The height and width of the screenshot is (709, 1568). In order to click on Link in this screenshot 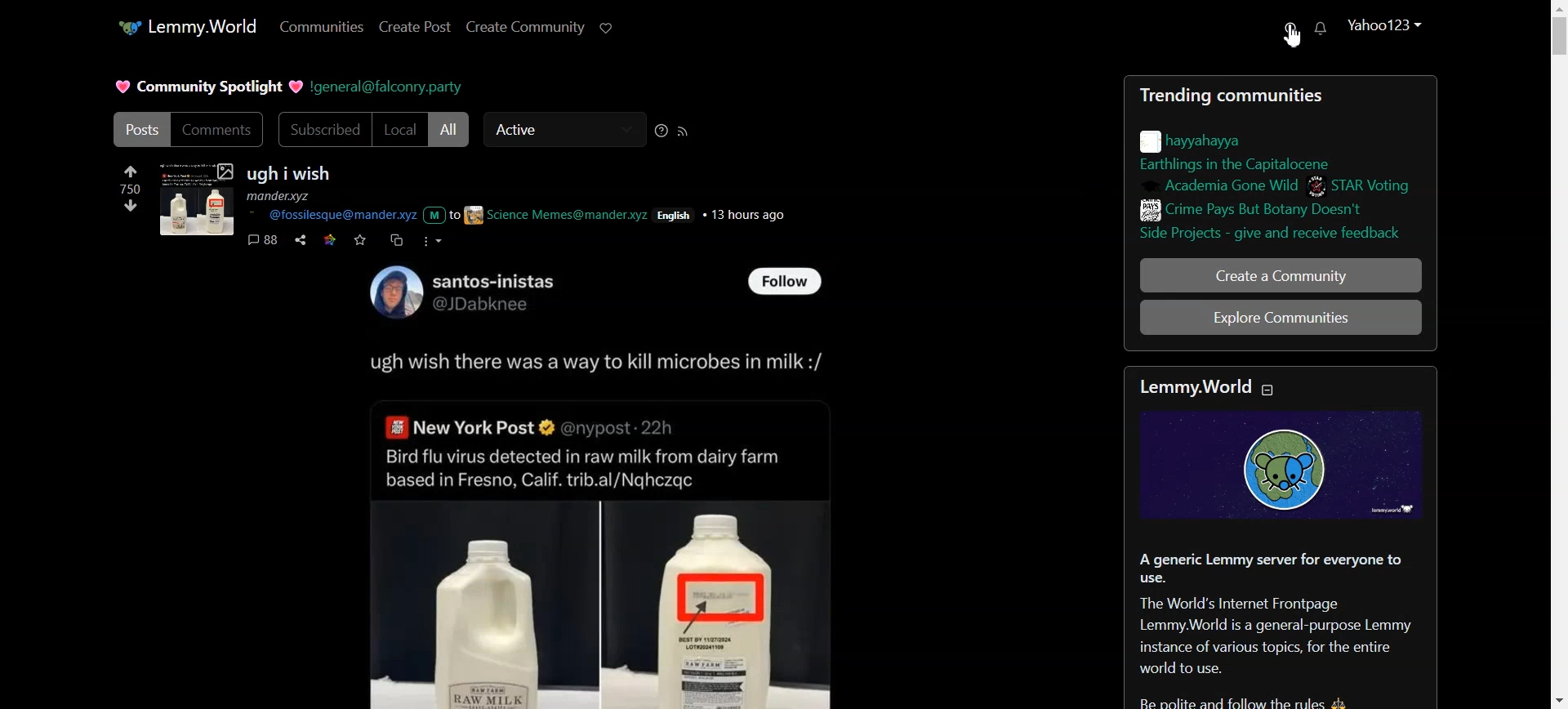, I will do `click(330, 239)`.